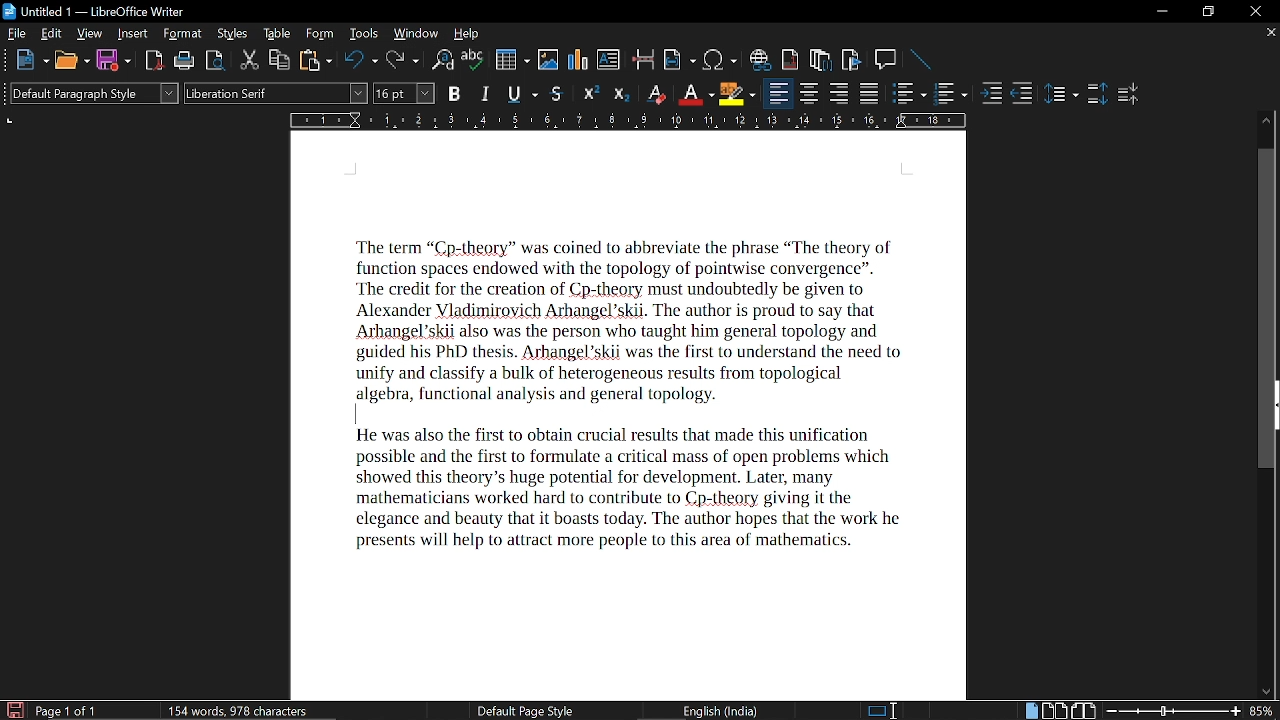 This screenshot has width=1280, height=720. What do you see at coordinates (1086, 711) in the screenshot?
I see `Book view` at bounding box center [1086, 711].